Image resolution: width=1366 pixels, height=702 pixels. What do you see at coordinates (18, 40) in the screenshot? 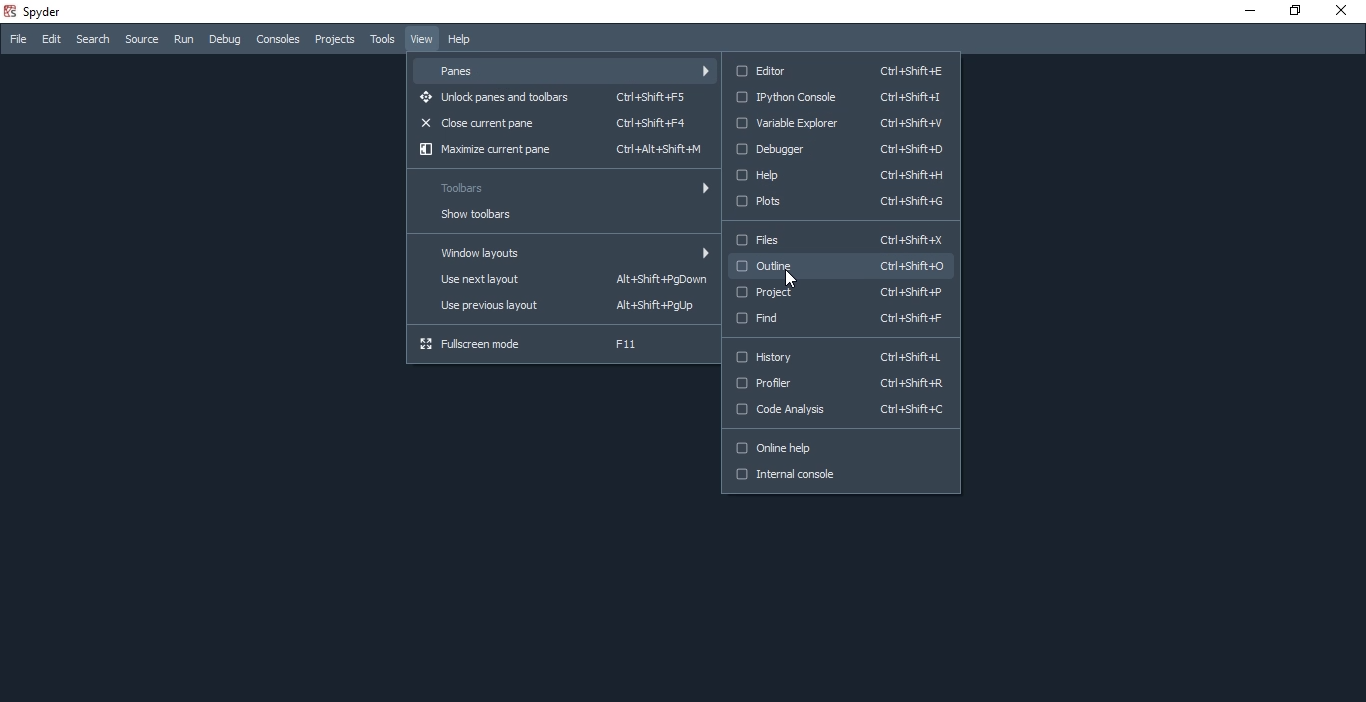
I see `File ` at bounding box center [18, 40].